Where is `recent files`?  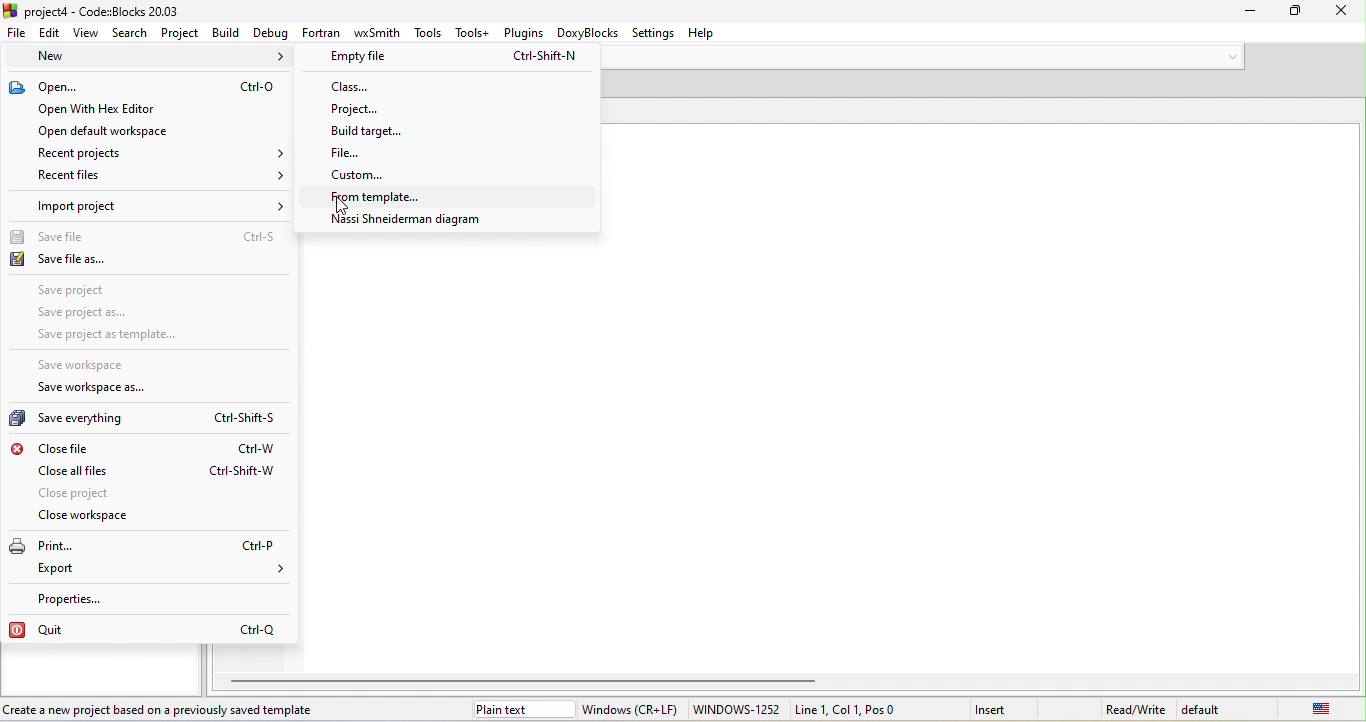 recent files is located at coordinates (155, 178).